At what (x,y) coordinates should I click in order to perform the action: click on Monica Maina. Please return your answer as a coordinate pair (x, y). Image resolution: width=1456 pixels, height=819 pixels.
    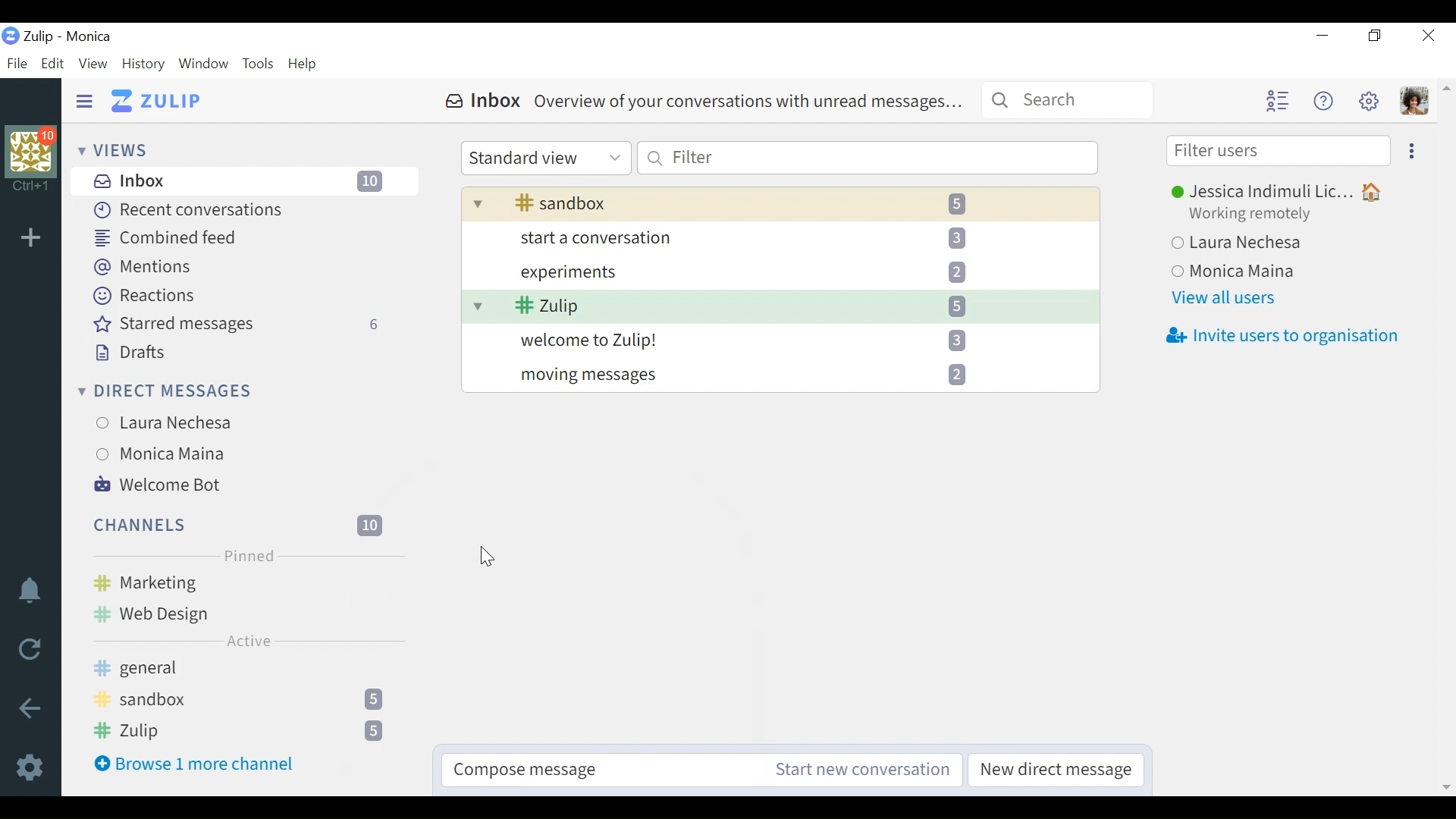
    Looking at the image, I should click on (234, 453).